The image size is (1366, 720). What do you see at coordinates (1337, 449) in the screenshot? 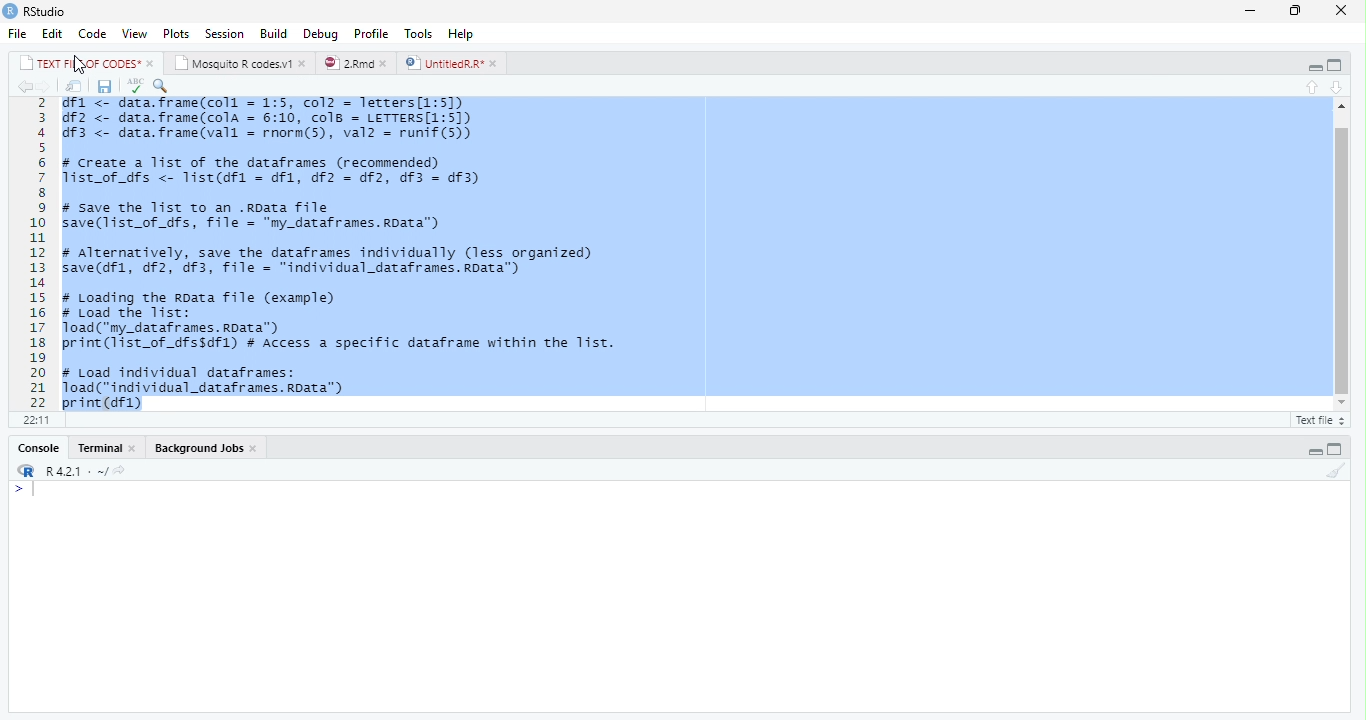
I see `Full Height` at bounding box center [1337, 449].